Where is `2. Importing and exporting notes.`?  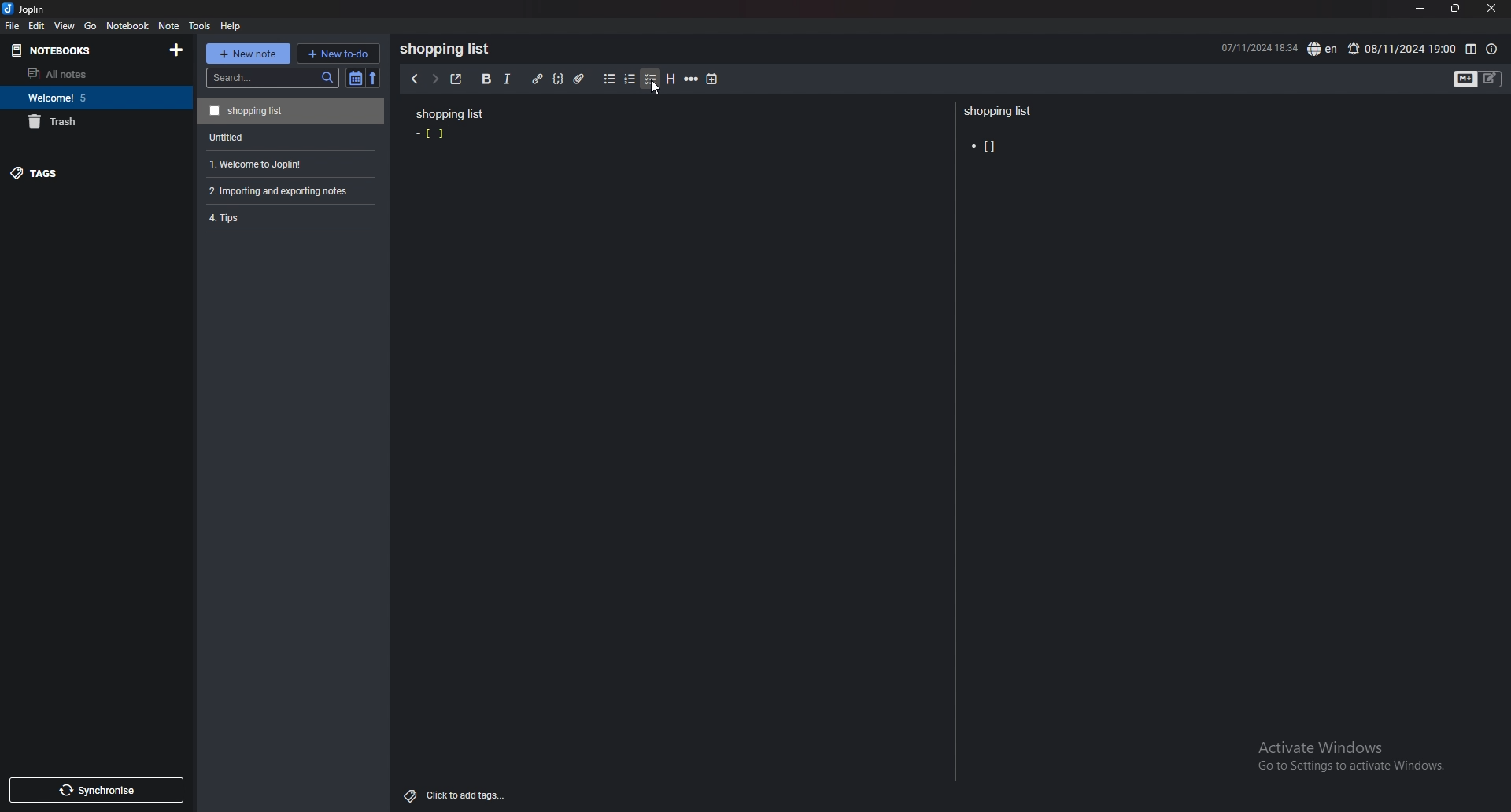
2. Importing and exporting notes. is located at coordinates (289, 189).